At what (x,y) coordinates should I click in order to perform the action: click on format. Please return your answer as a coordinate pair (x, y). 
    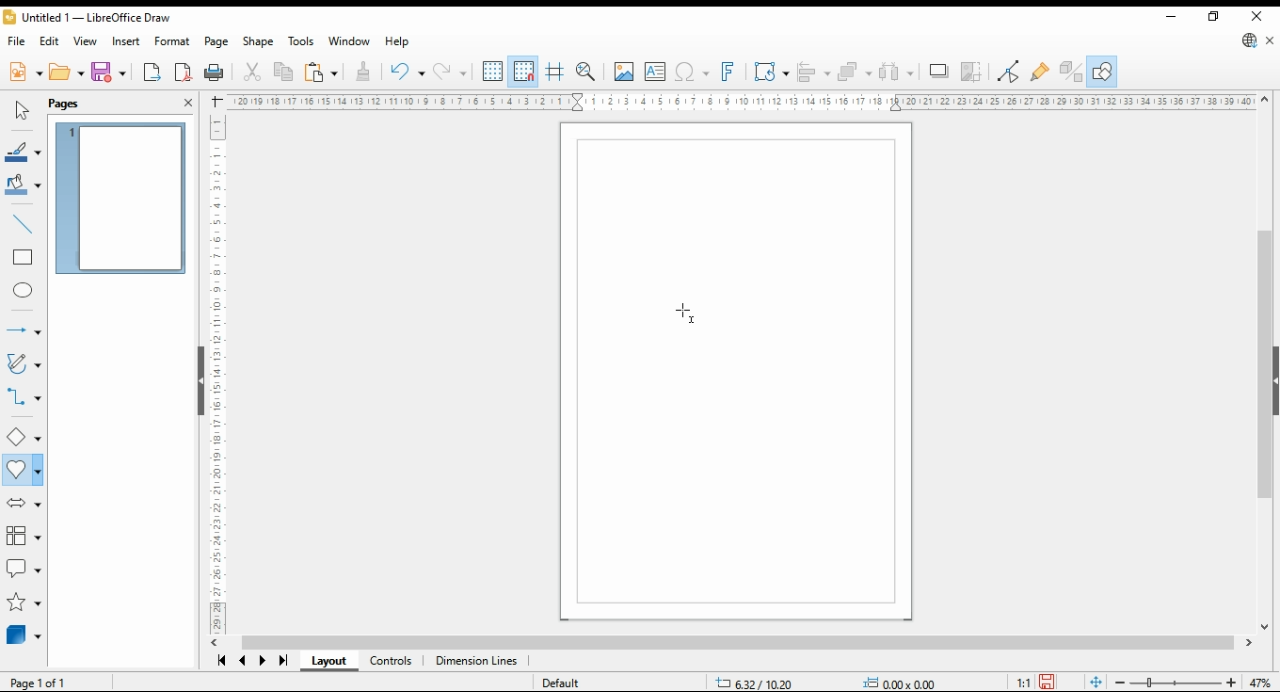
    Looking at the image, I should click on (171, 42).